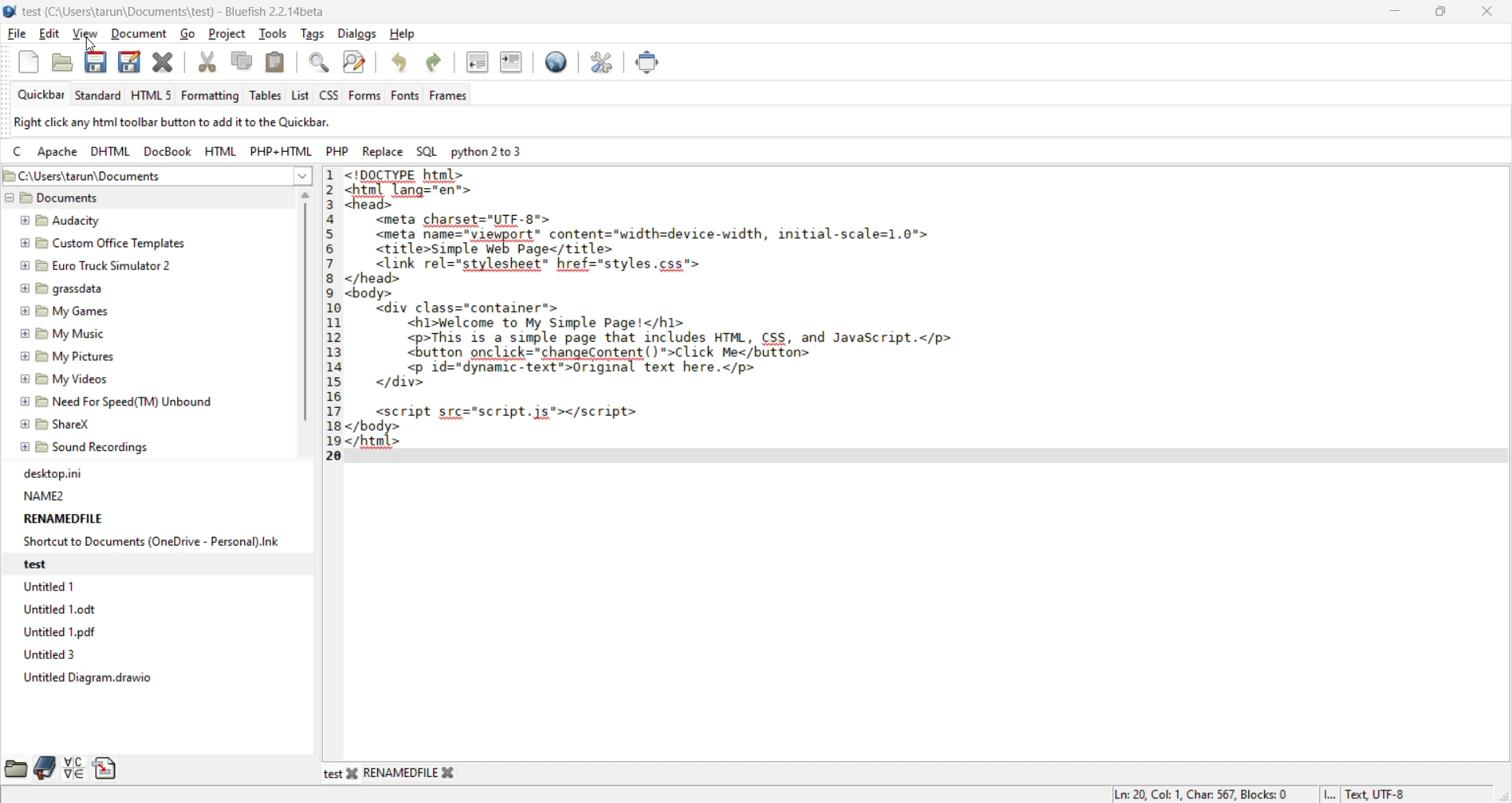 This screenshot has width=1512, height=803. I want to click on html, so click(221, 152).